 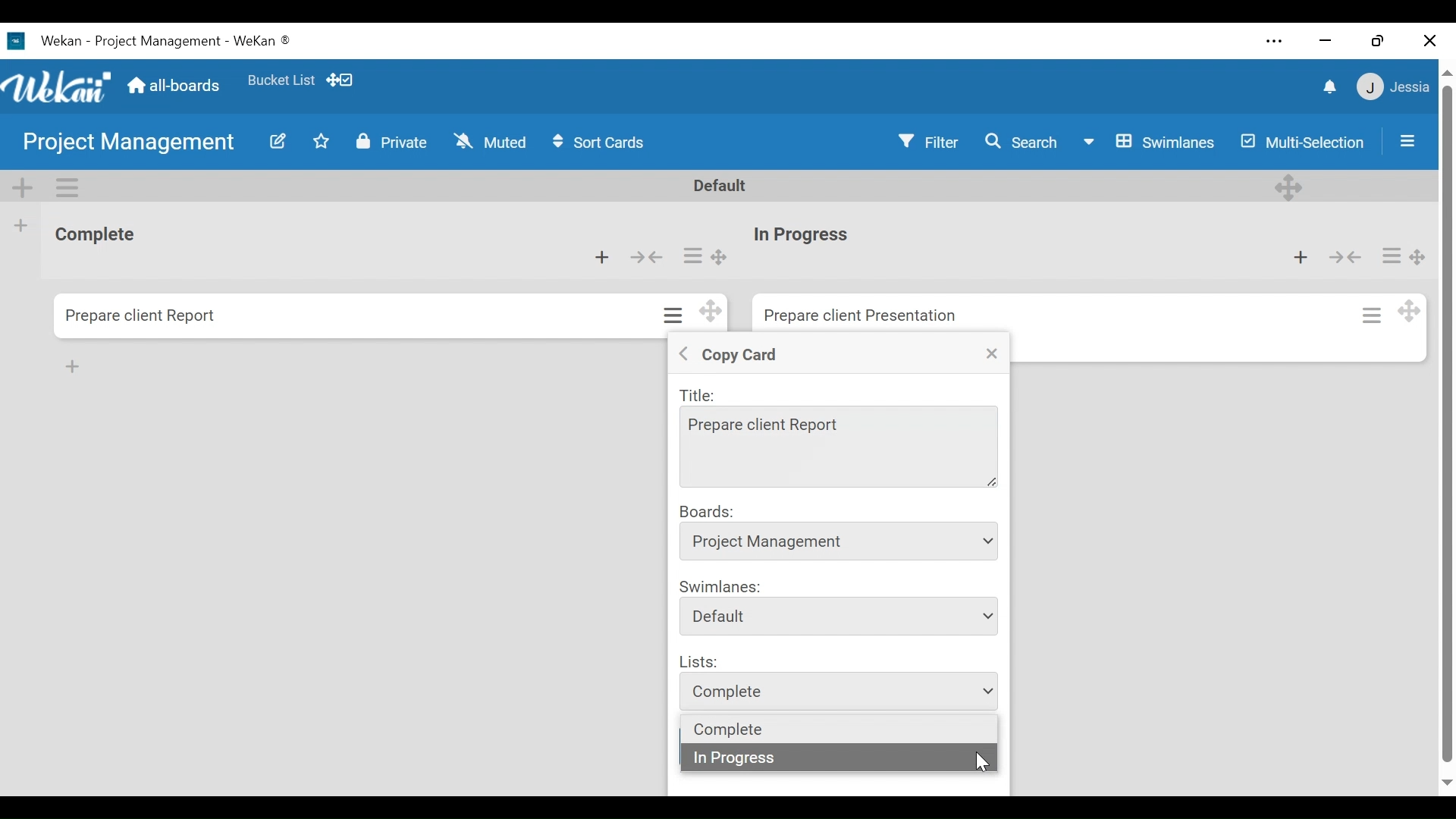 I want to click on List dropdown options, so click(x=830, y=728).